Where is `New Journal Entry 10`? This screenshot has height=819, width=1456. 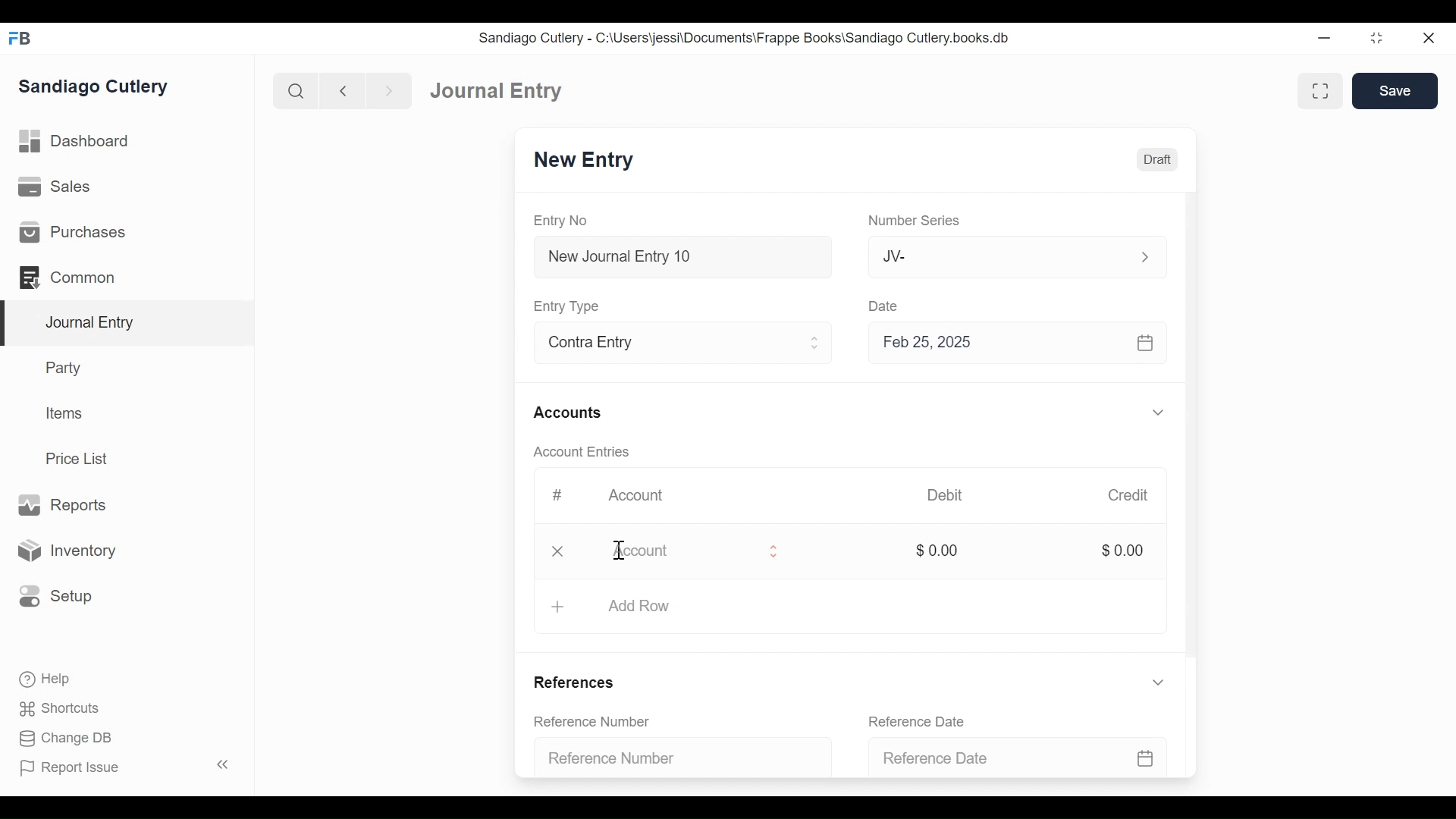 New Journal Entry 10 is located at coordinates (682, 256).